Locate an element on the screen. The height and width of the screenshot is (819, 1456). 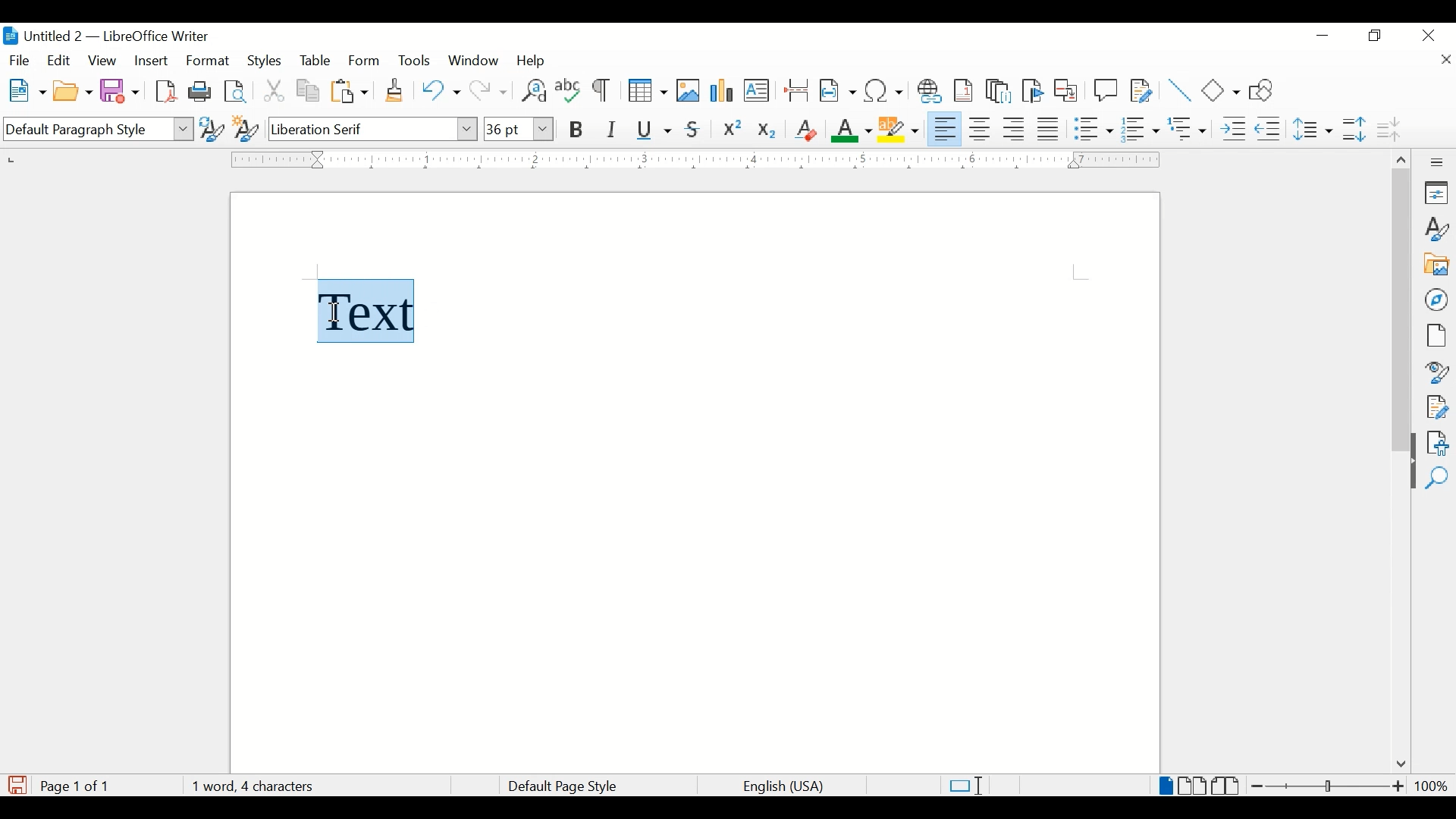
insert chart is located at coordinates (723, 92).